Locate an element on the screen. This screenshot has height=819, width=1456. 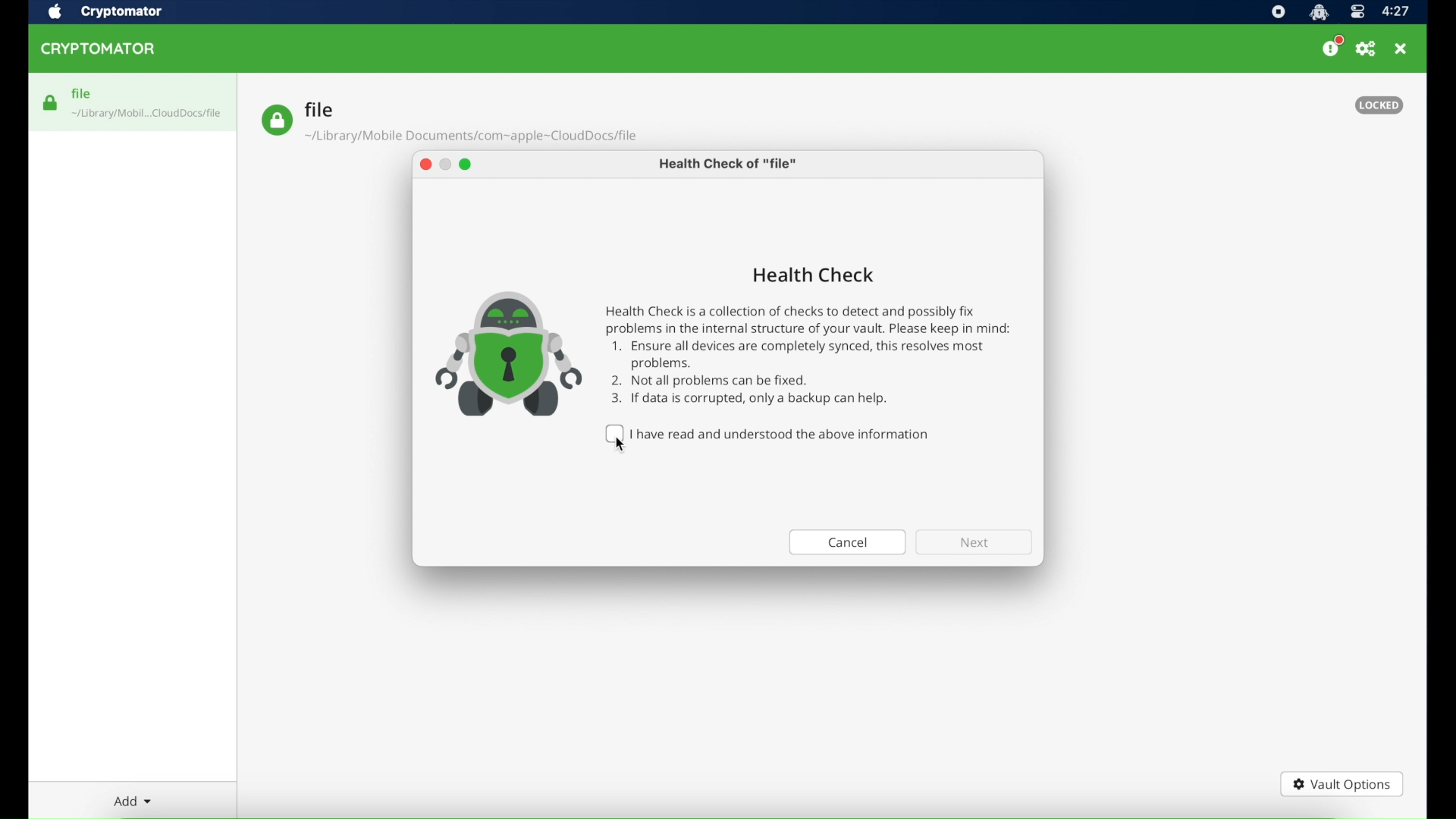
cryptomator is located at coordinates (122, 11).